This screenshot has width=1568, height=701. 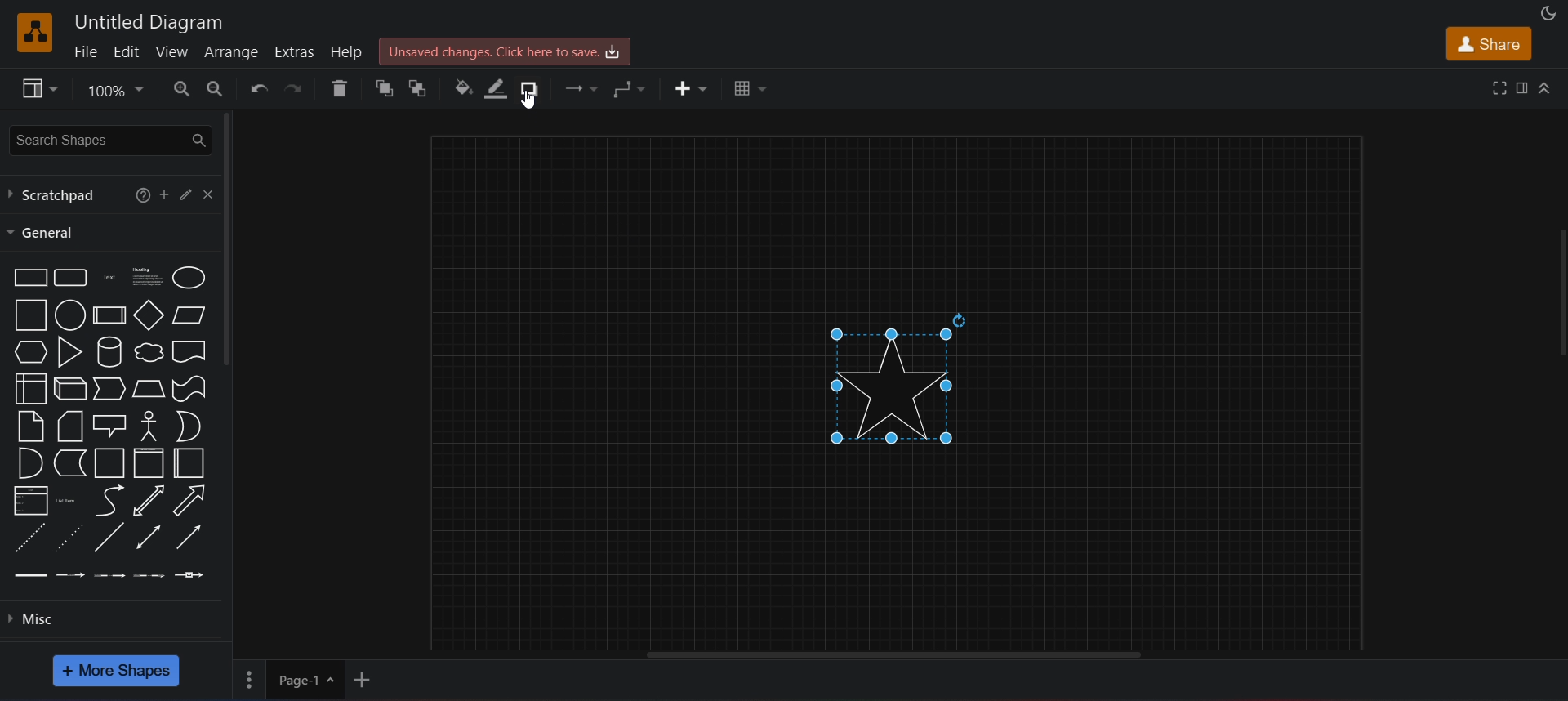 What do you see at coordinates (151, 576) in the screenshot?
I see `Connector with 3 labels` at bounding box center [151, 576].